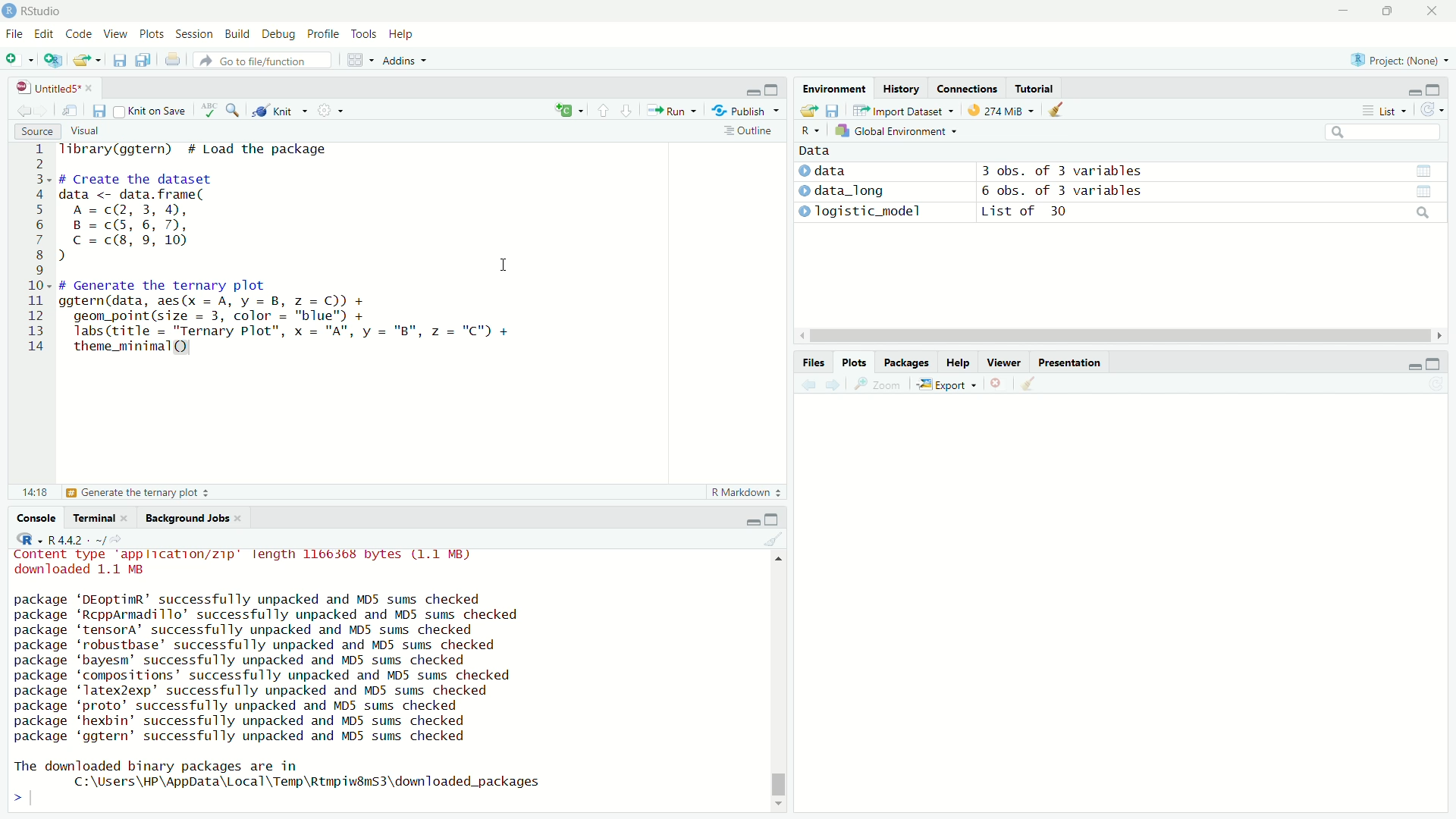 The height and width of the screenshot is (819, 1456). Describe the element at coordinates (773, 541) in the screenshot. I see `clear` at that location.